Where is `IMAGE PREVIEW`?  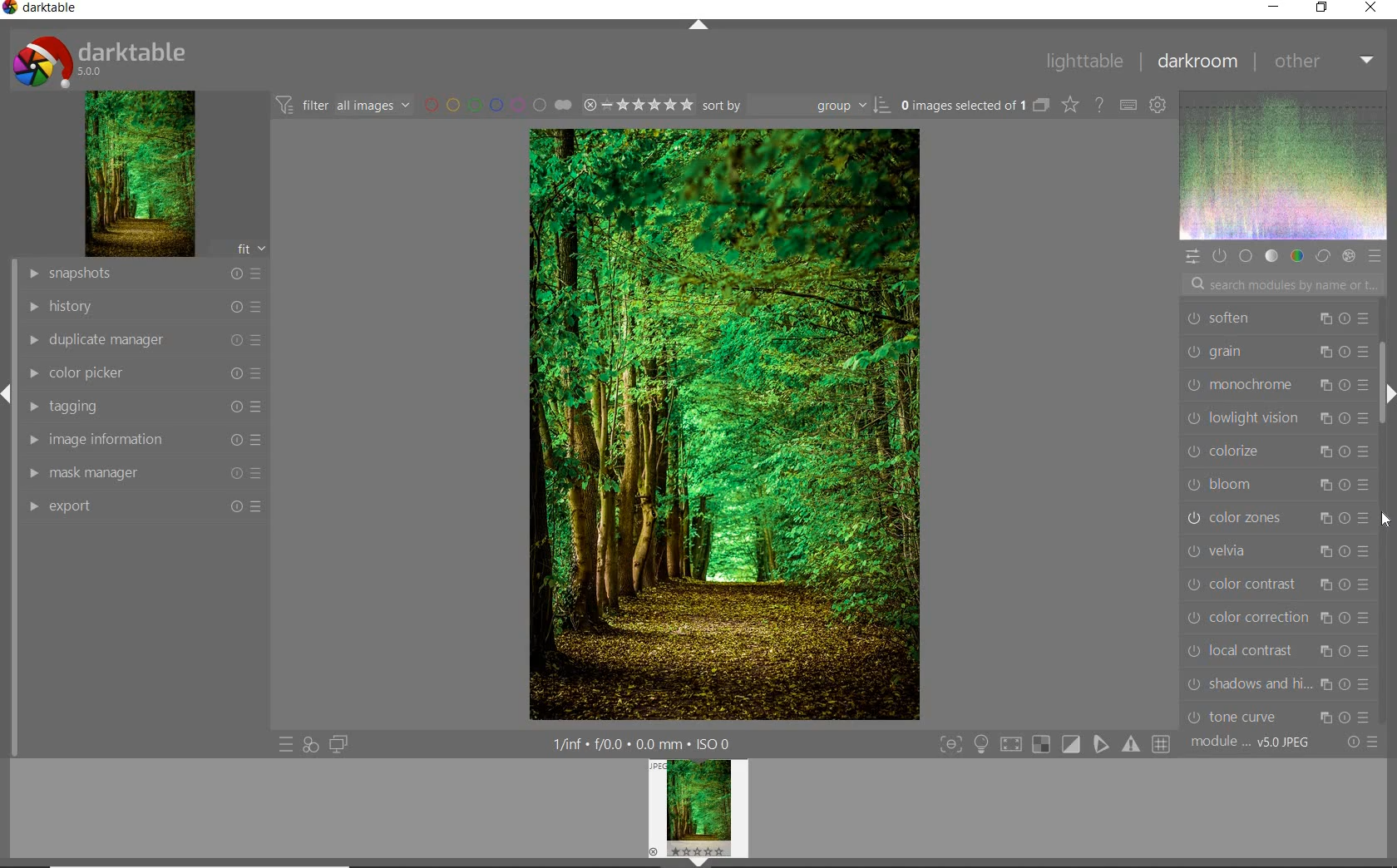
IMAGE PREVIEW is located at coordinates (698, 813).